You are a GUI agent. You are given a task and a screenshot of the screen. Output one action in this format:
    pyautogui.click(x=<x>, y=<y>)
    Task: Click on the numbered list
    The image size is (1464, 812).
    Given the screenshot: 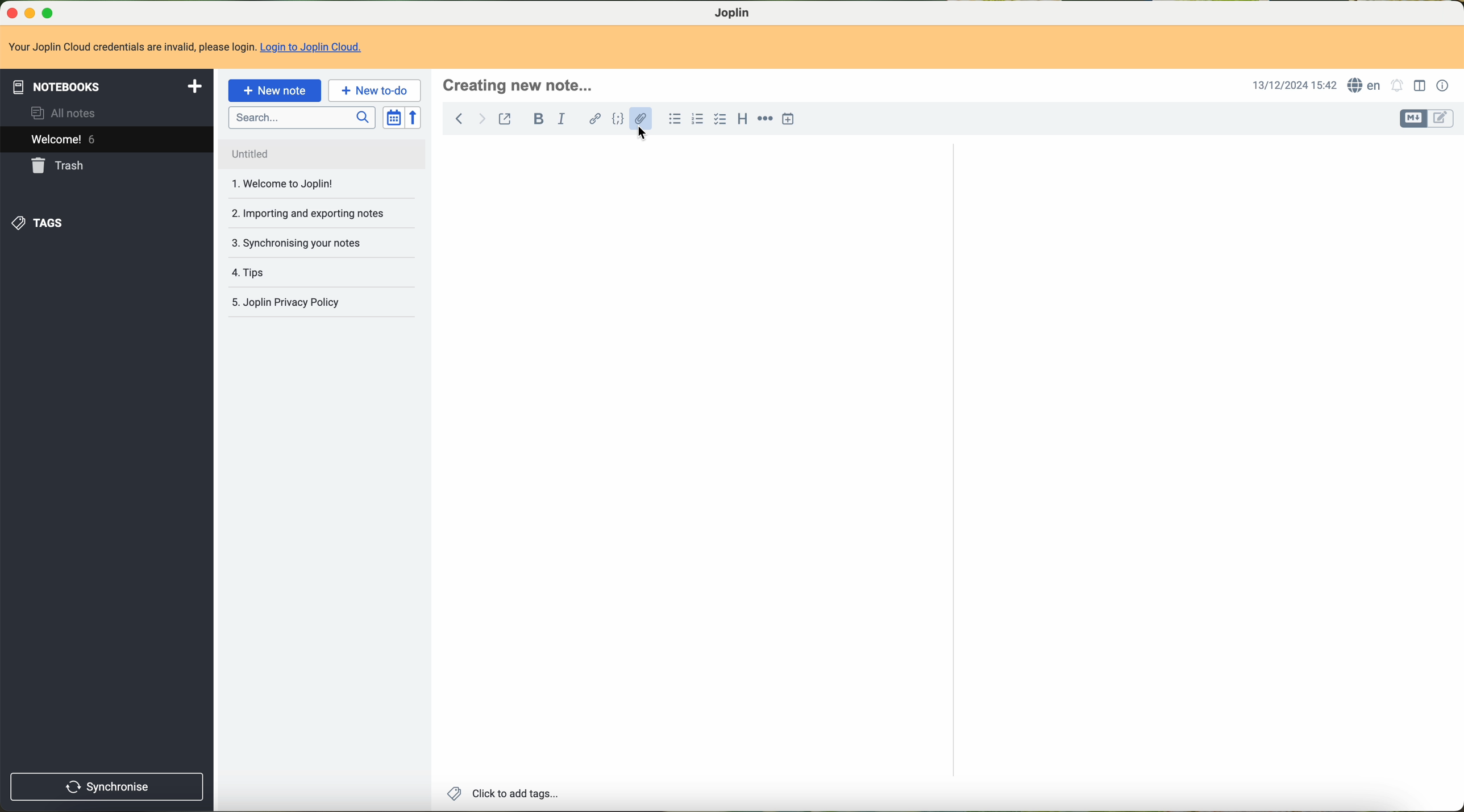 What is the action you would take?
    pyautogui.click(x=698, y=120)
    